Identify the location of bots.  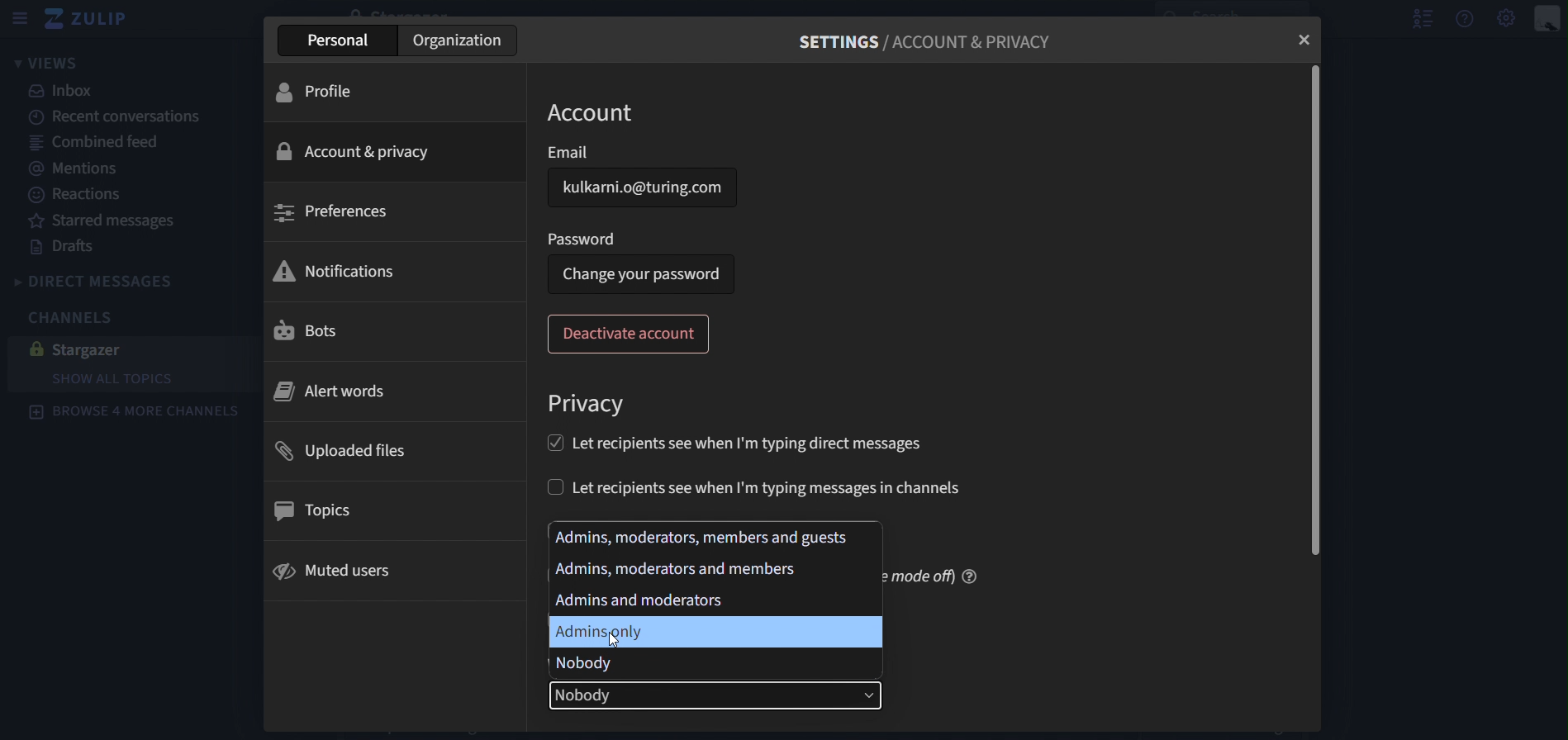
(312, 329).